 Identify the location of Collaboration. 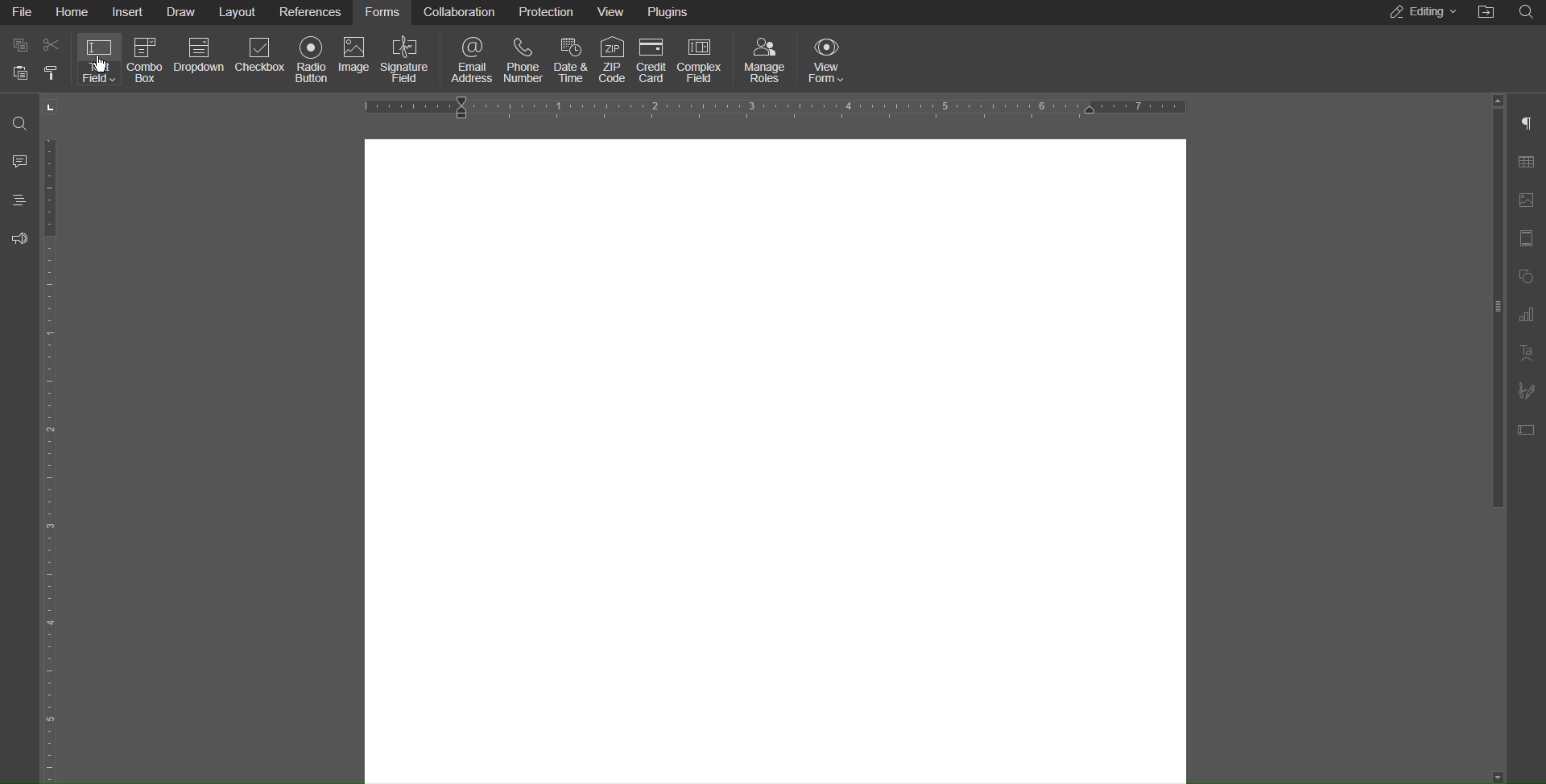
(460, 14).